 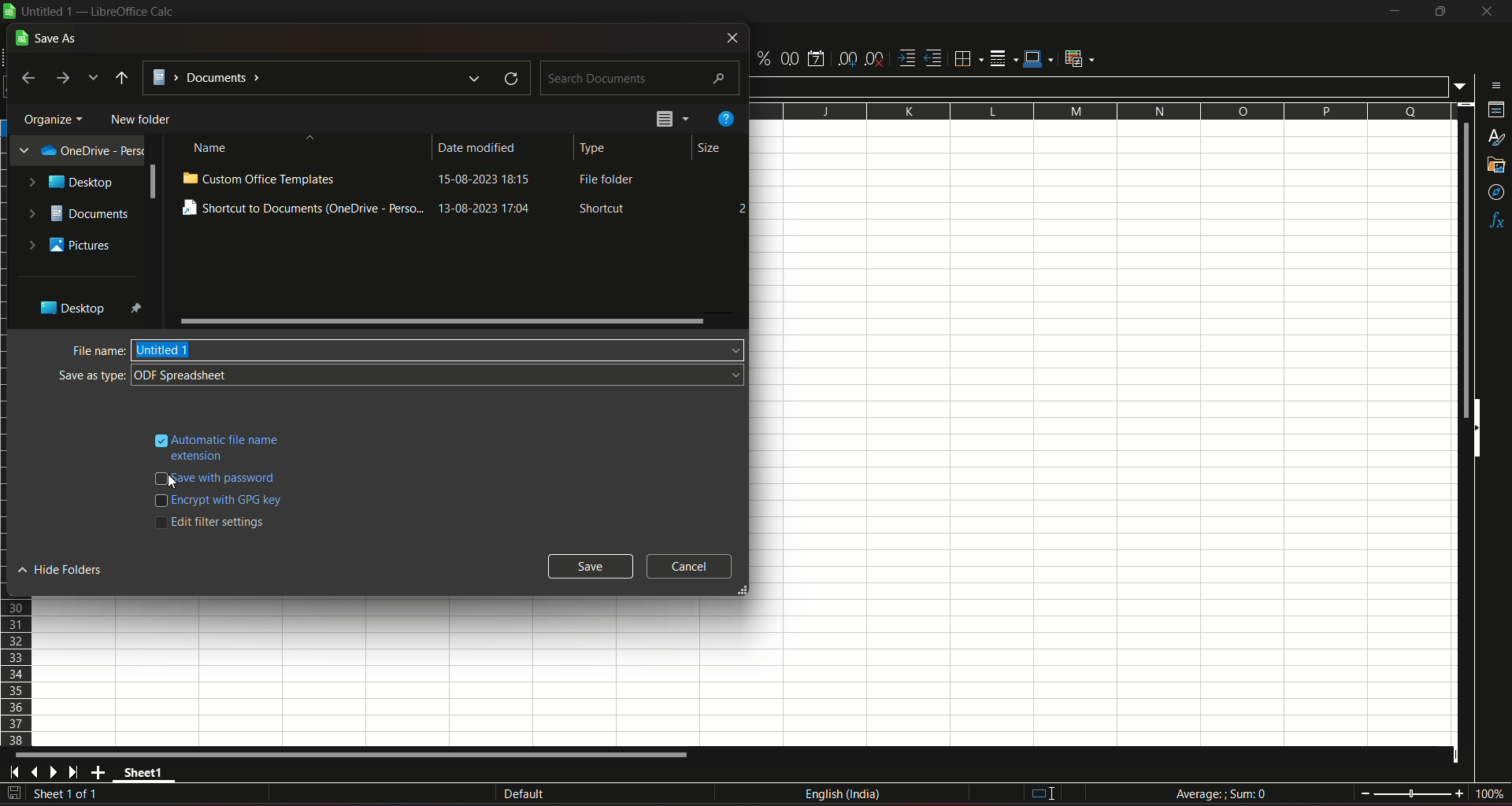 What do you see at coordinates (790, 58) in the screenshot?
I see `format as number` at bounding box center [790, 58].